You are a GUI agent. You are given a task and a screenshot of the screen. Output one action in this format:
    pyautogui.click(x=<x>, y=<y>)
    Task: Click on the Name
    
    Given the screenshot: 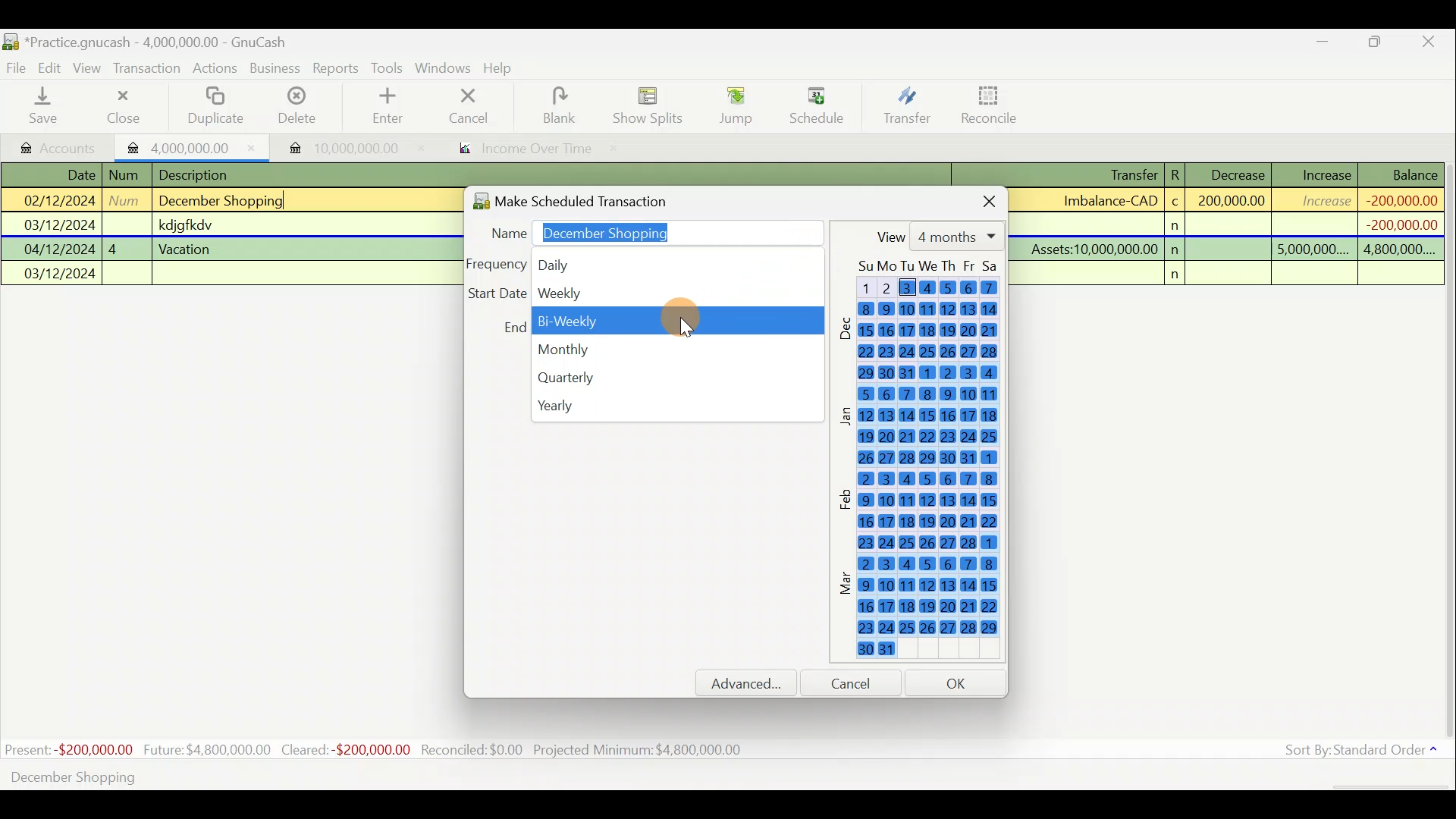 What is the action you would take?
    pyautogui.click(x=649, y=230)
    